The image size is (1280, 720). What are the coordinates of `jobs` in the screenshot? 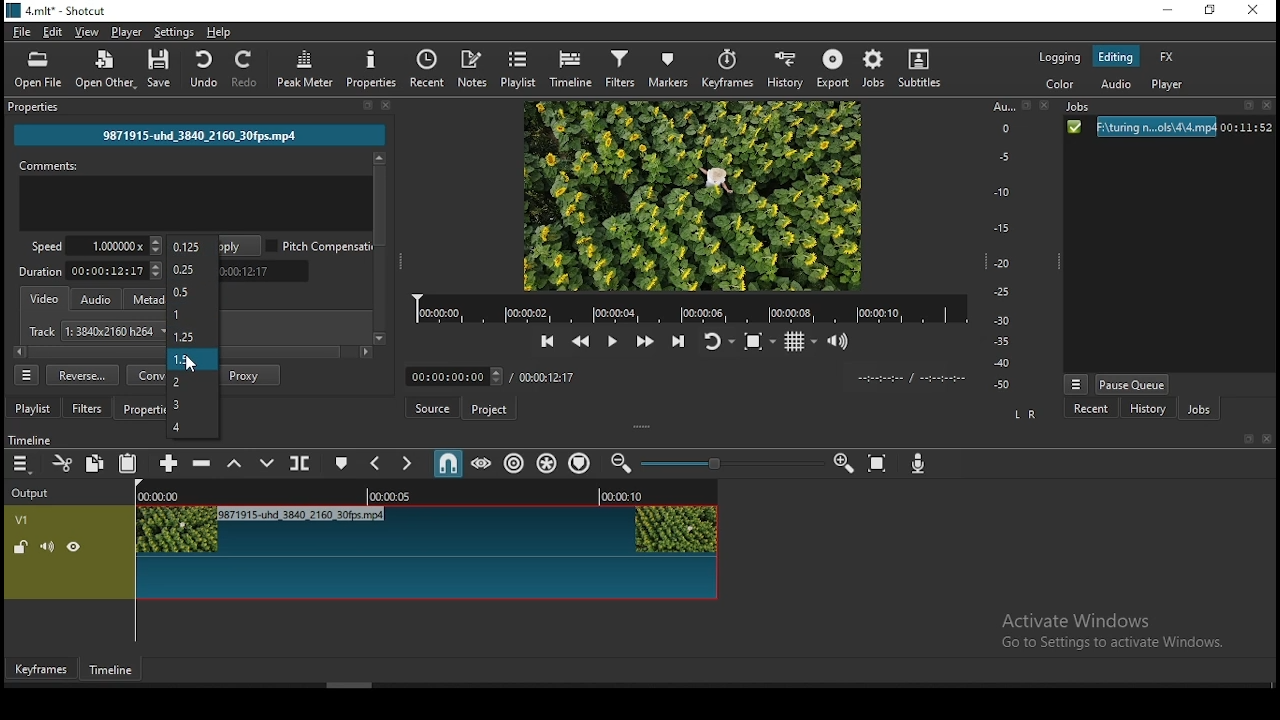 It's located at (1198, 411).